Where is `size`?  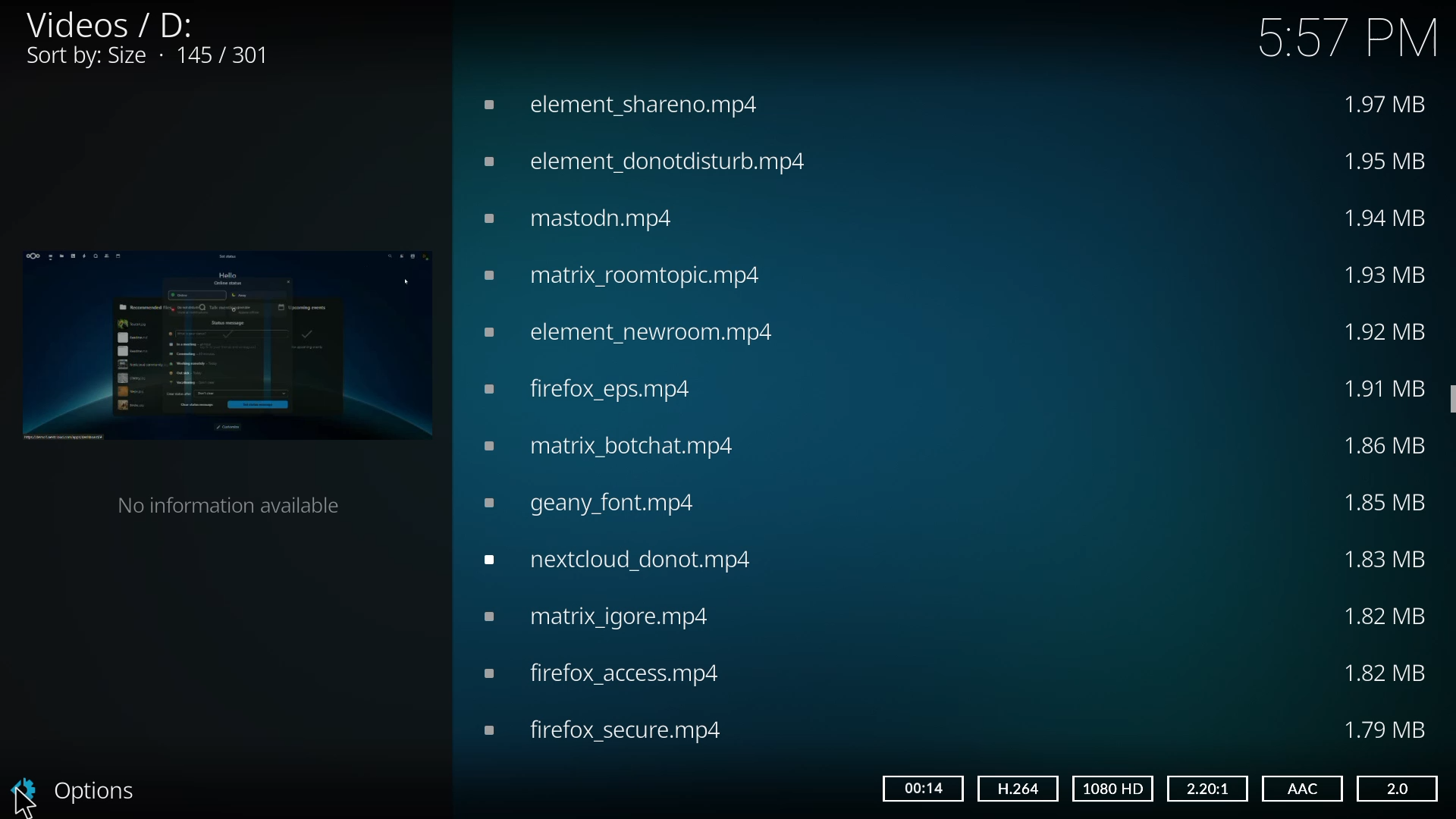
size is located at coordinates (1389, 388).